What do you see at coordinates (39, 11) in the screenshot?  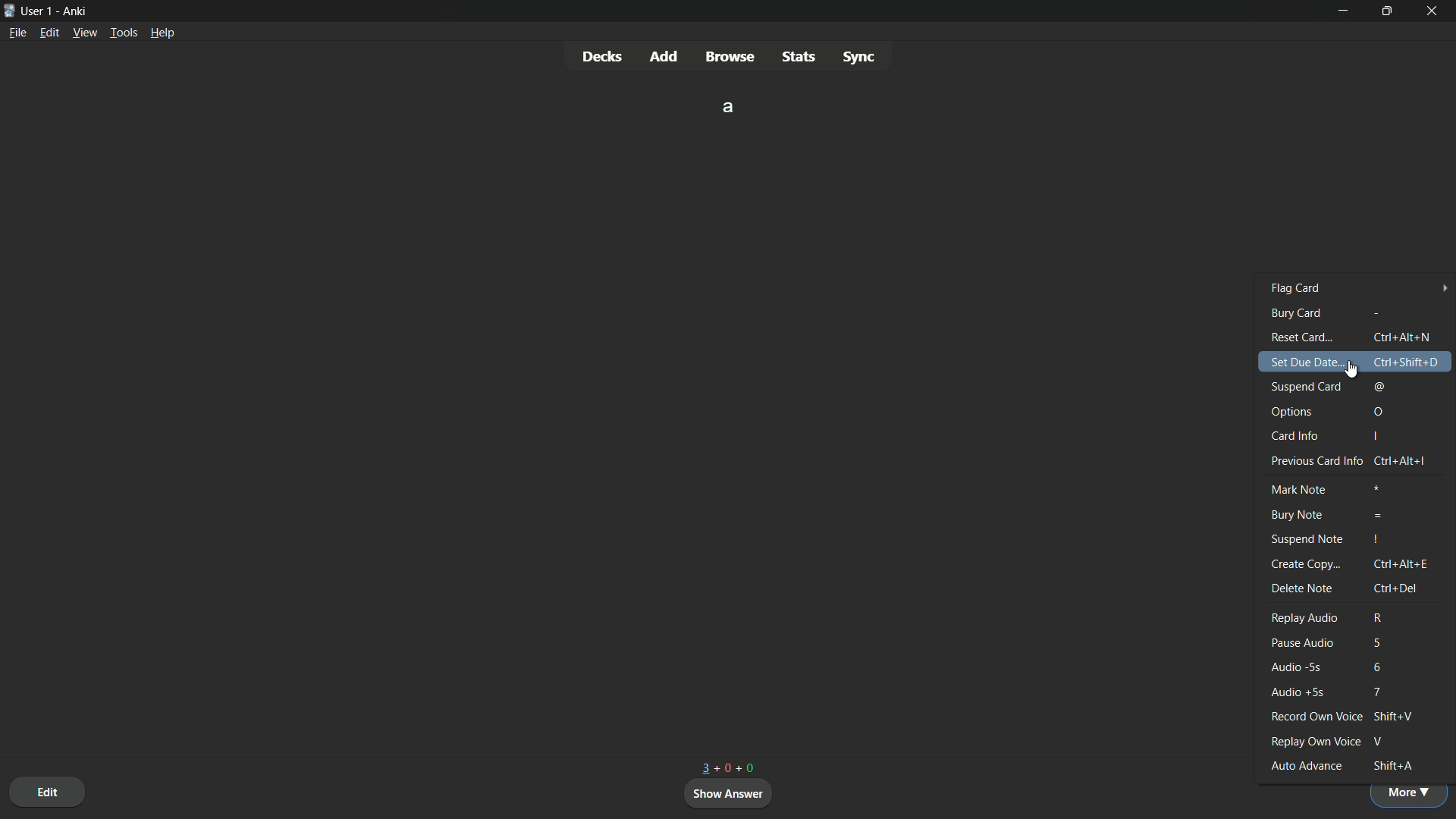 I see `user 1` at bounding box center [39, 11].